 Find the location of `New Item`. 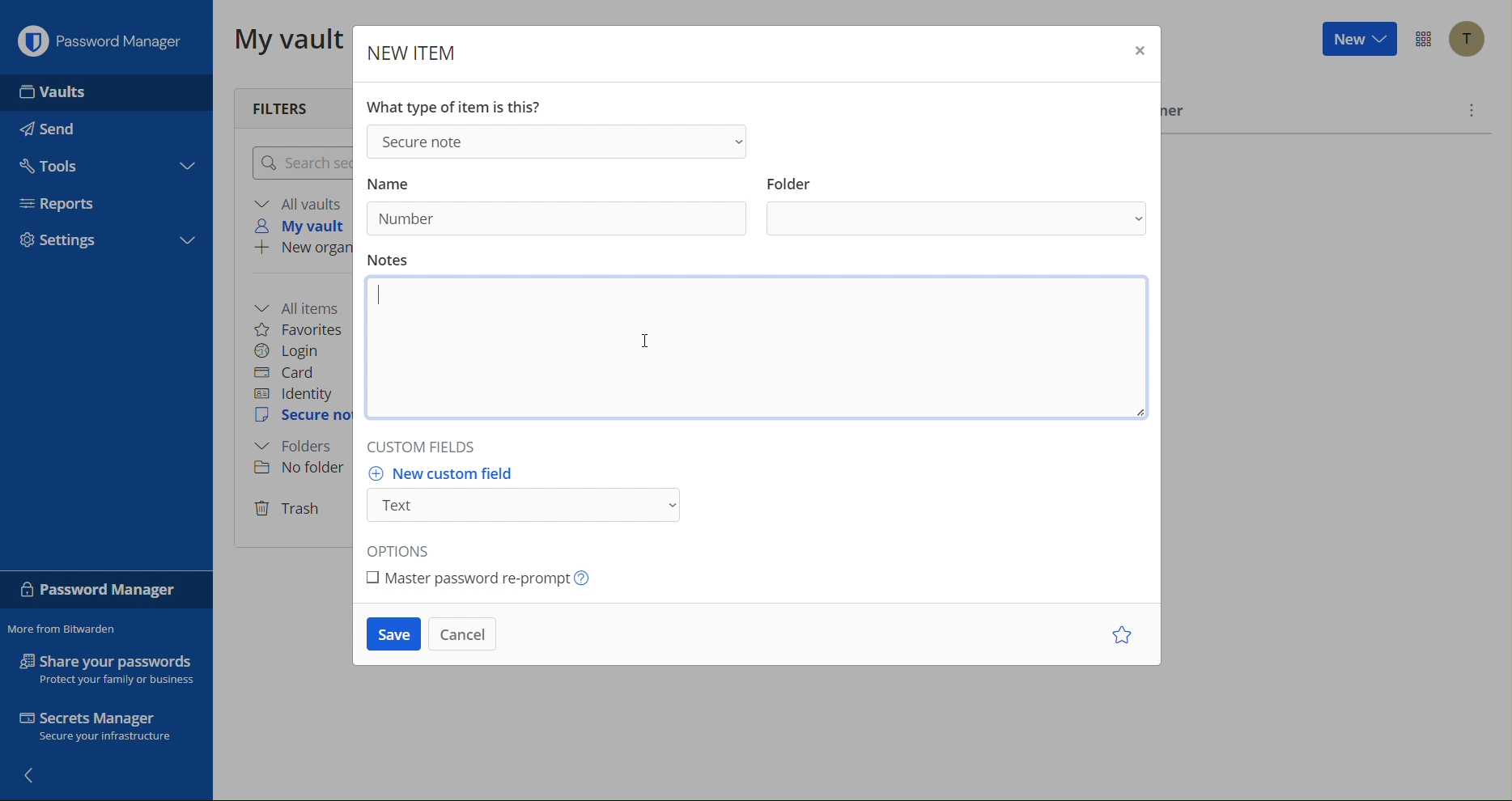

New Item is located at coordinates (410, 48).